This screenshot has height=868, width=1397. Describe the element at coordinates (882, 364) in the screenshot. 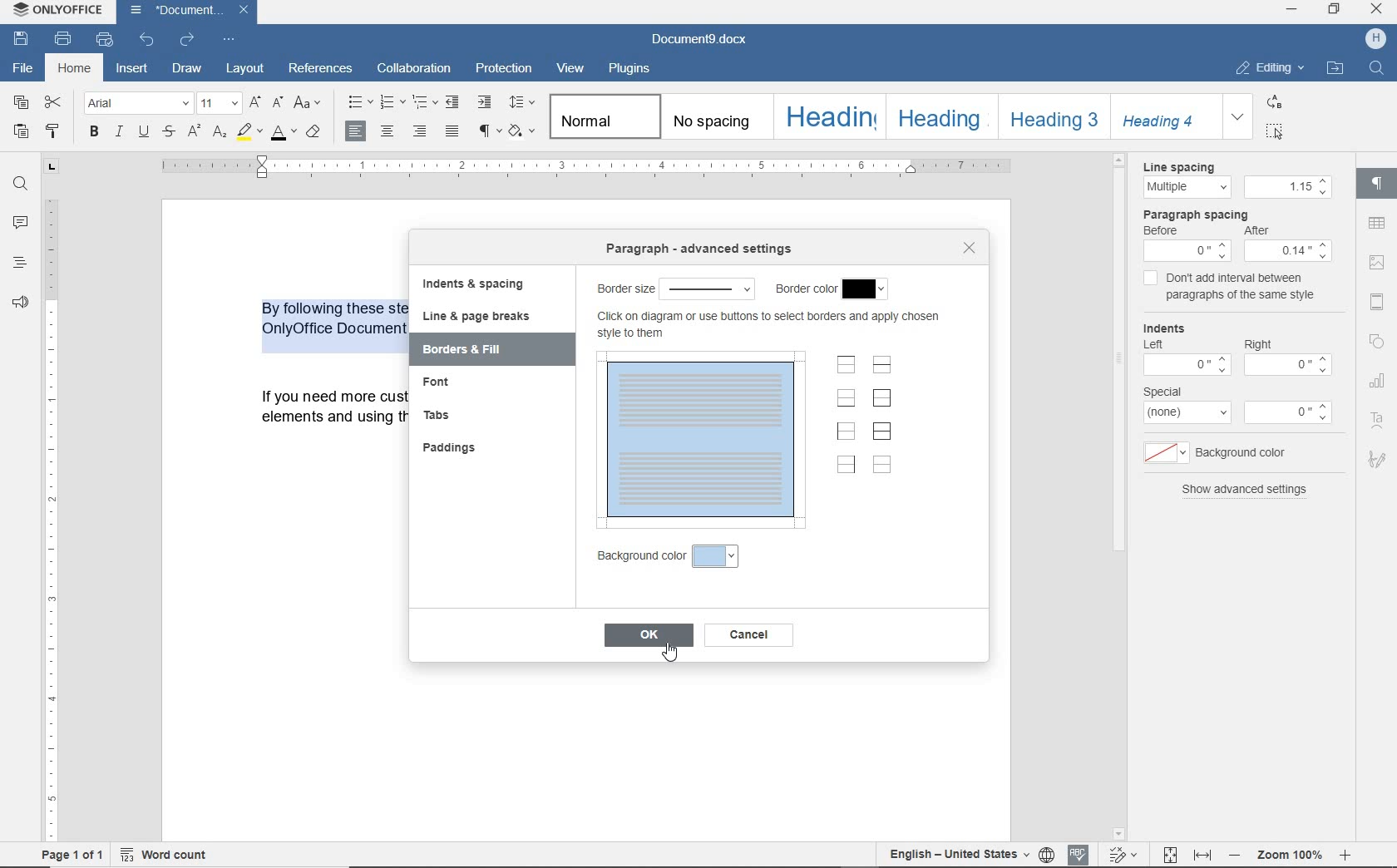

I see `set horizontal inner lines only` at that location.